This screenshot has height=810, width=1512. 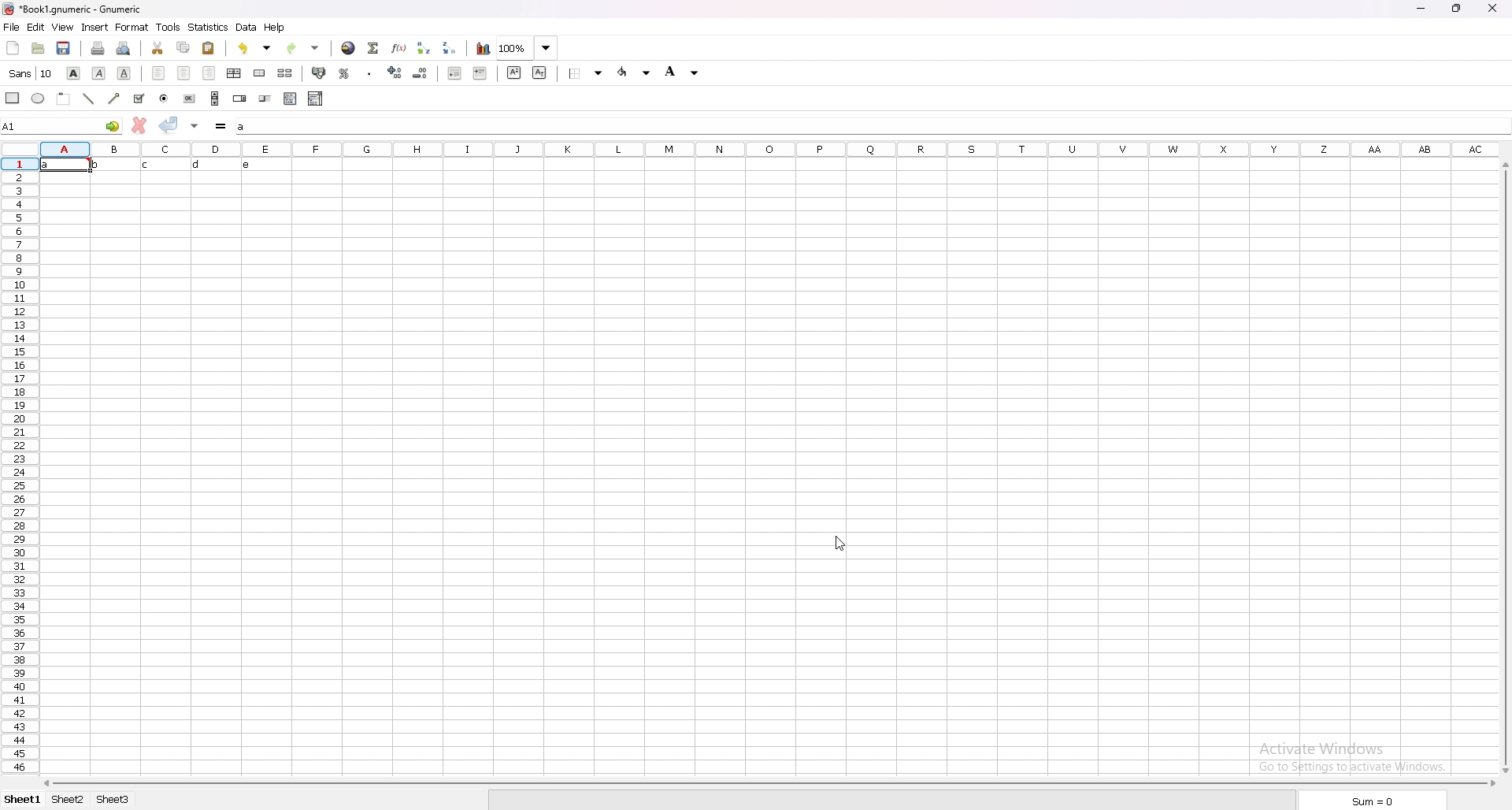 What do you see at coordinates (424, 49) in the screenshot?
I see `sort ascending` at bounding box center [424, 49].